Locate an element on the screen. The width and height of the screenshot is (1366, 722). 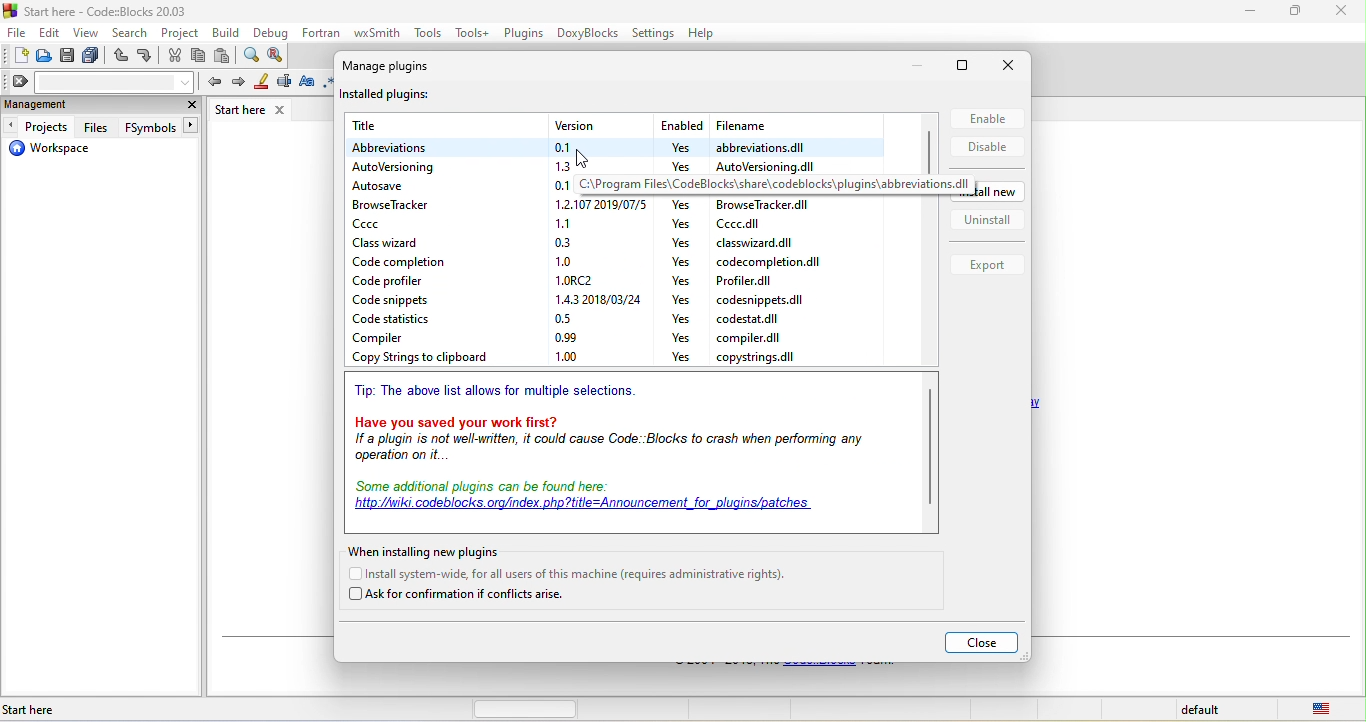
file is located at coordinates (764, 206).